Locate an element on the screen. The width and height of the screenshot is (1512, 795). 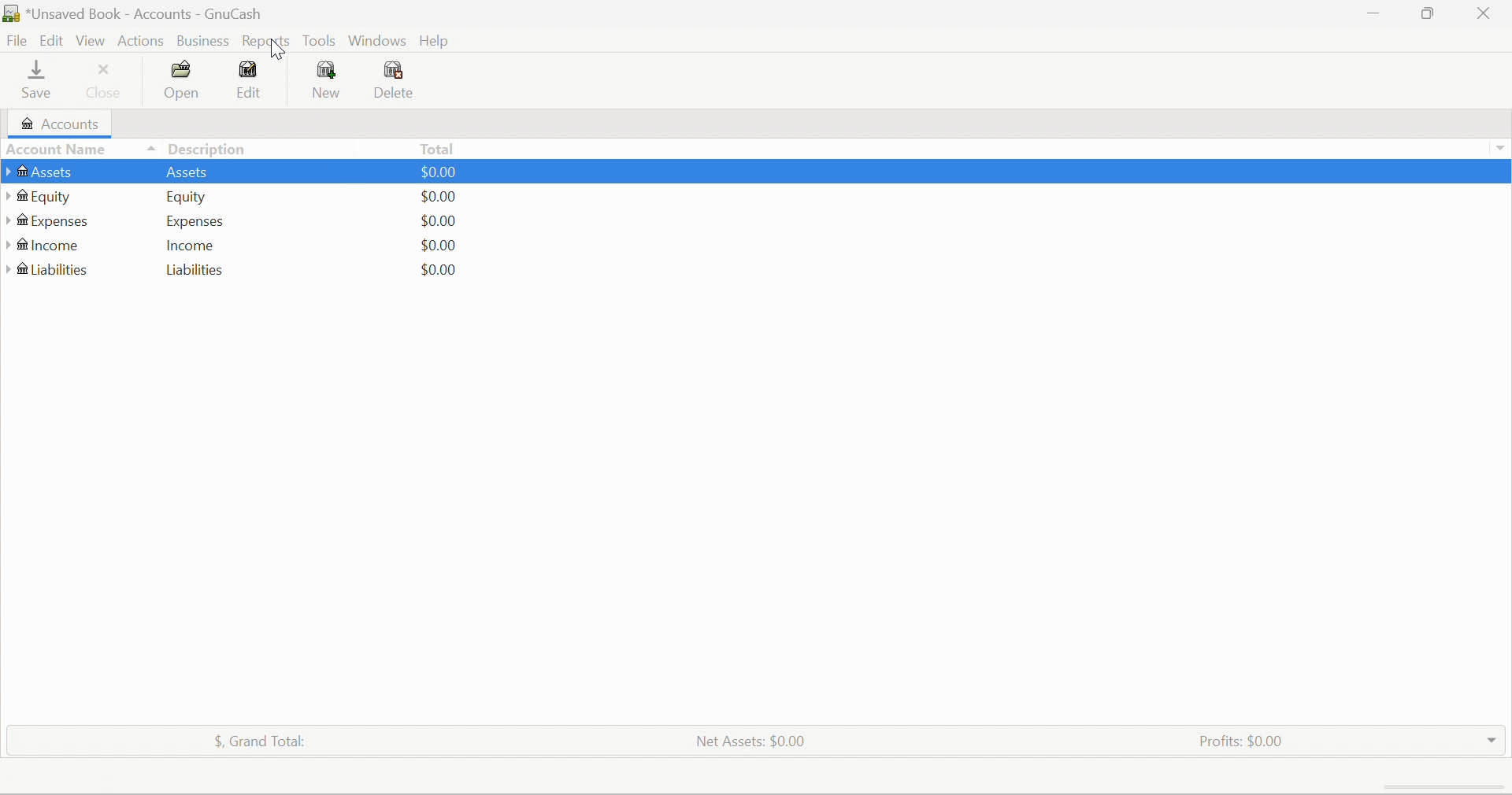
Liabilities is located at coordinates (195, 270).